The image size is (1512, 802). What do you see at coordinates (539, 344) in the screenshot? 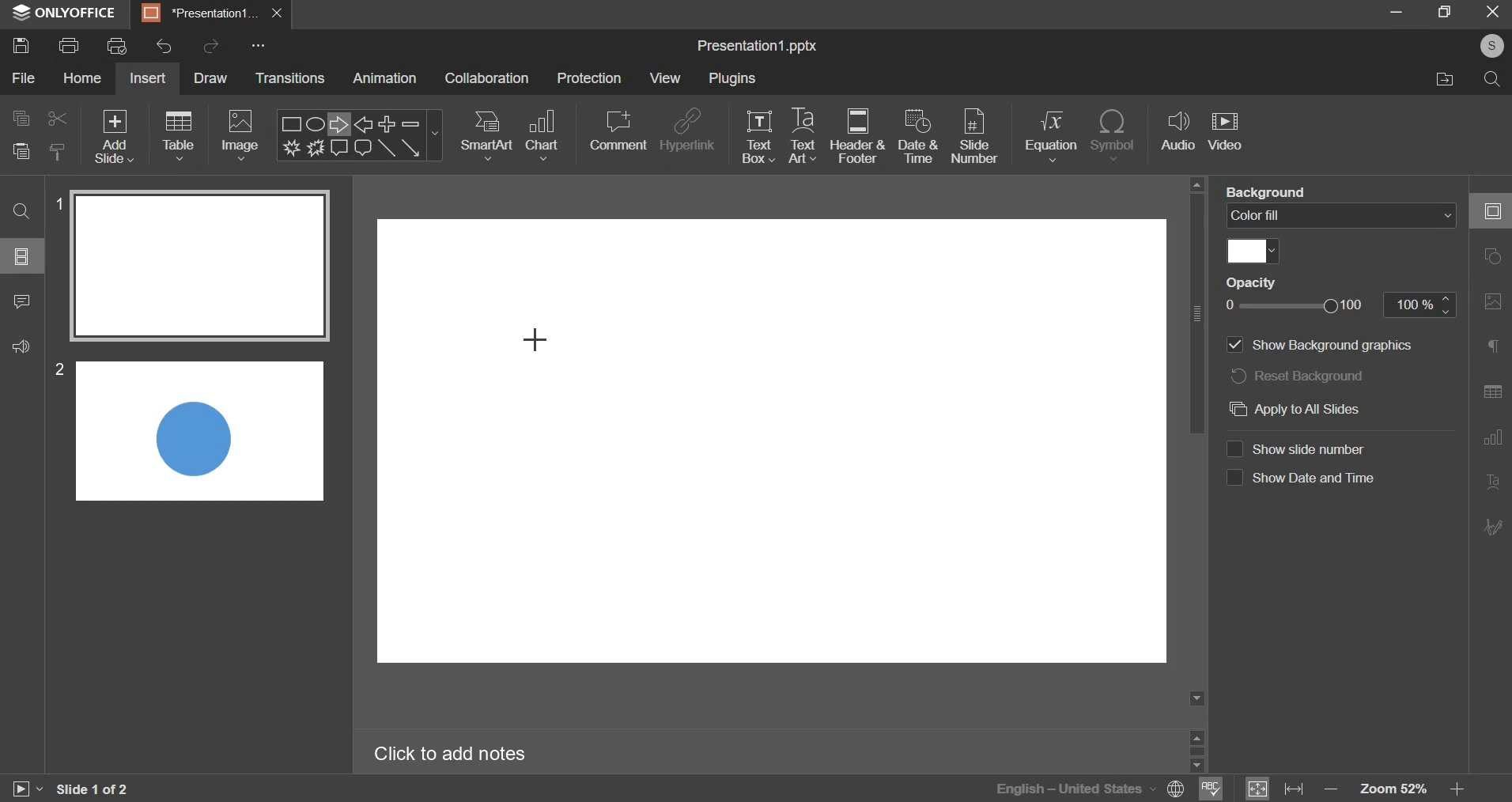
I see `Cursor` at bounding box center [539, 344].